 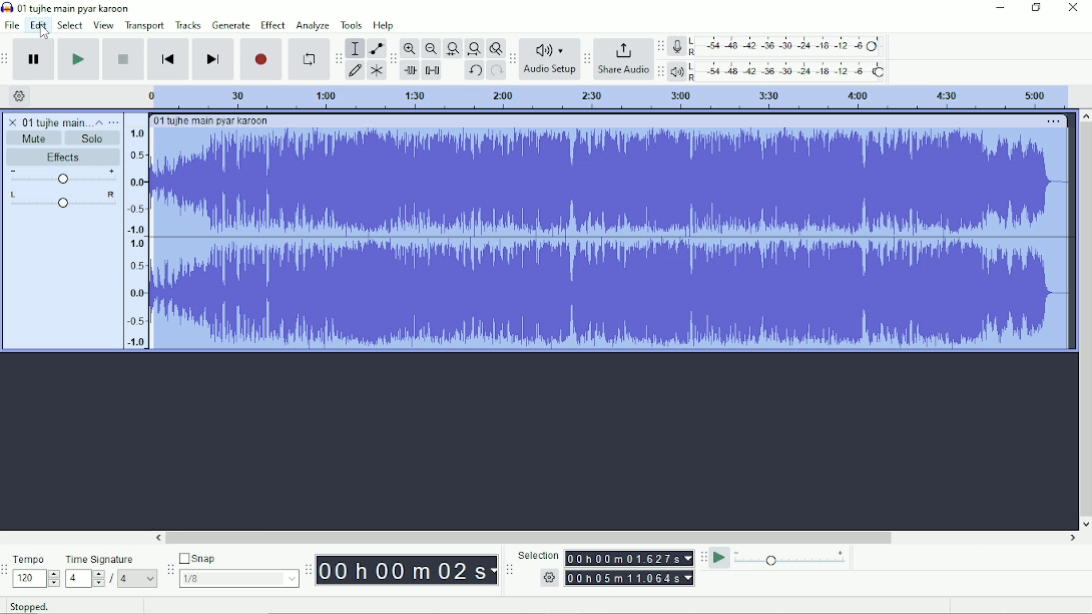 I want to click on Effect, so click(x=273, y=25).